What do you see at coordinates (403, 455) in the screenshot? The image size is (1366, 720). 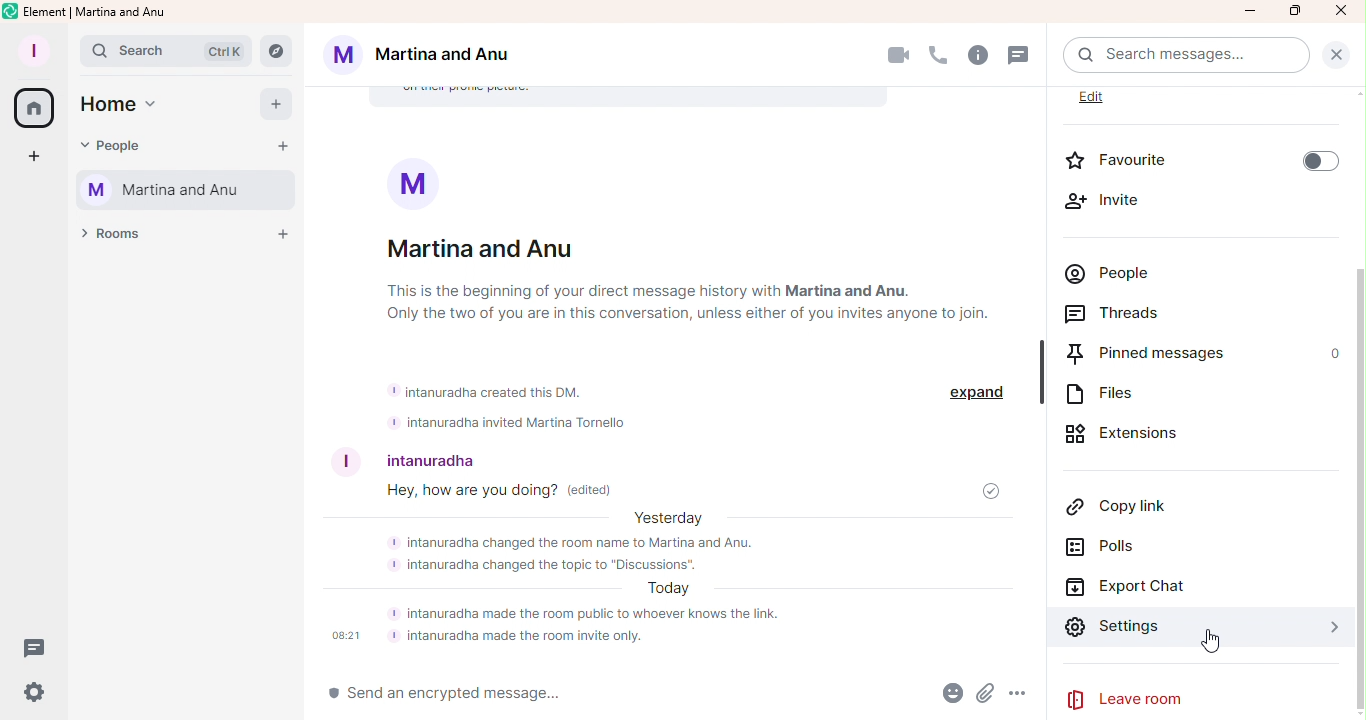 I see `User` at bounding box center [403, 455].